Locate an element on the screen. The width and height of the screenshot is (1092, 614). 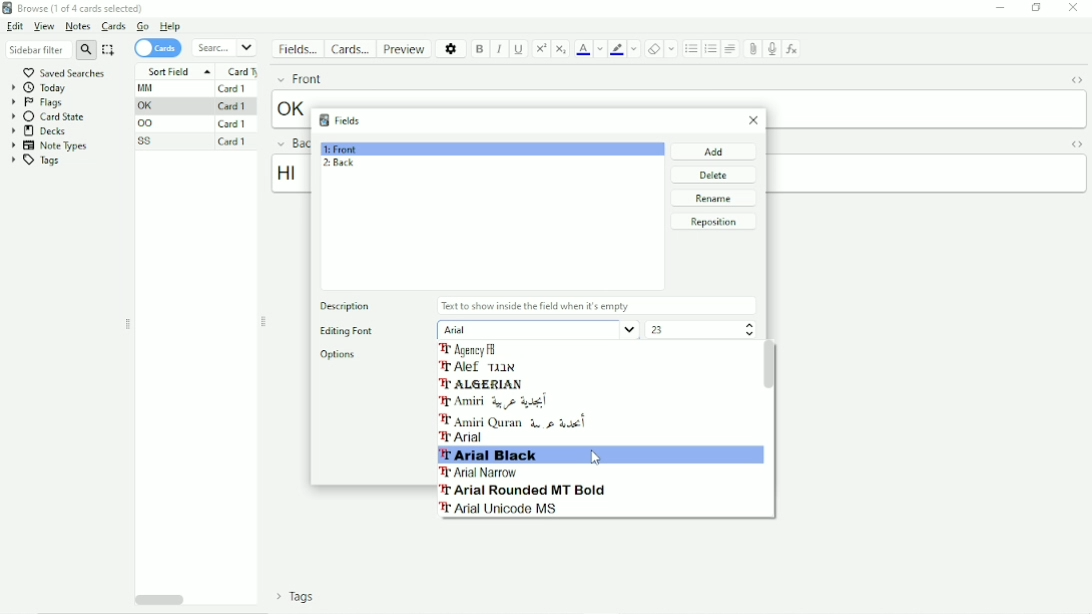
Increment is located at coordinates (750, 324).